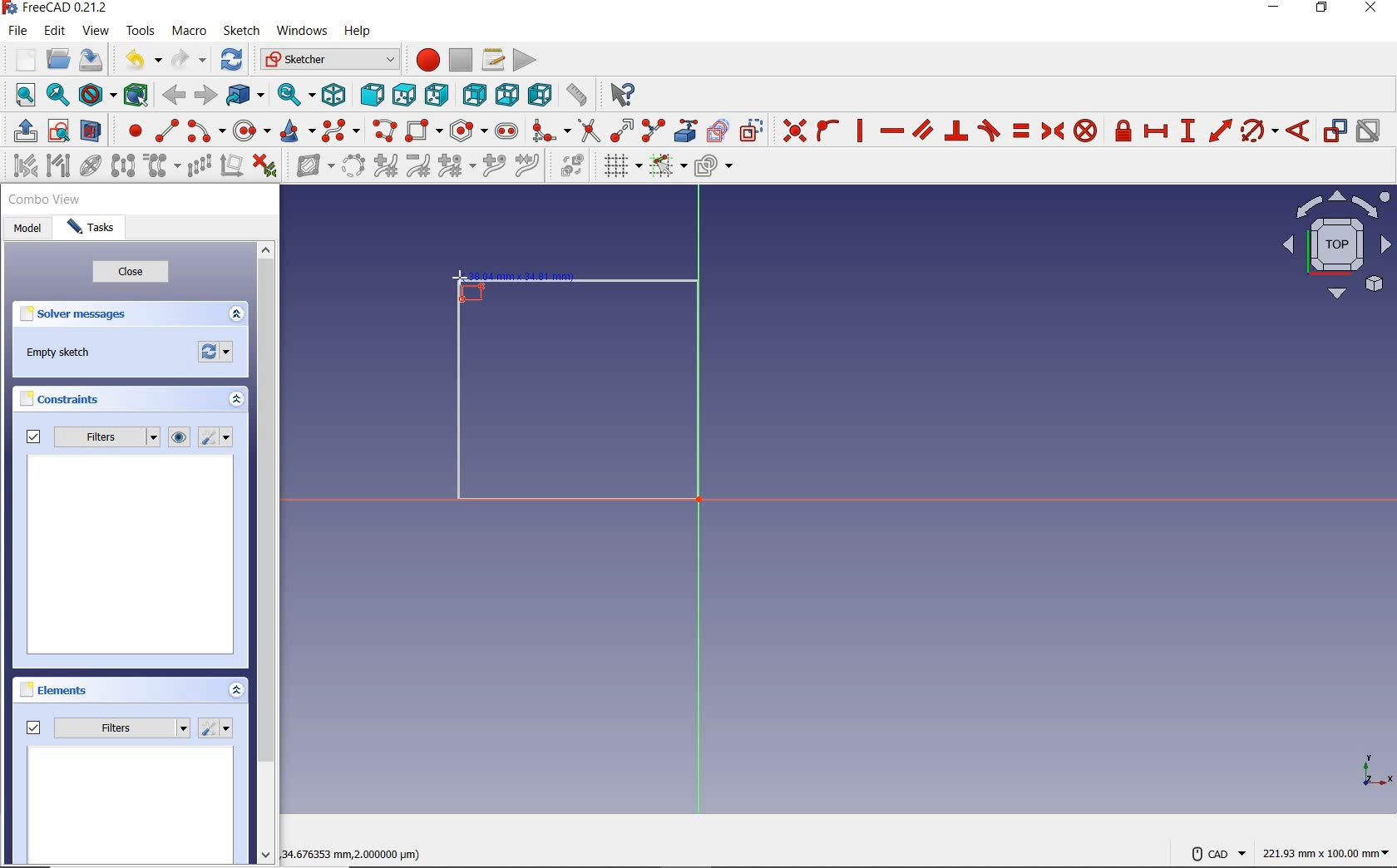  I want to click on help, so click(358, 31).